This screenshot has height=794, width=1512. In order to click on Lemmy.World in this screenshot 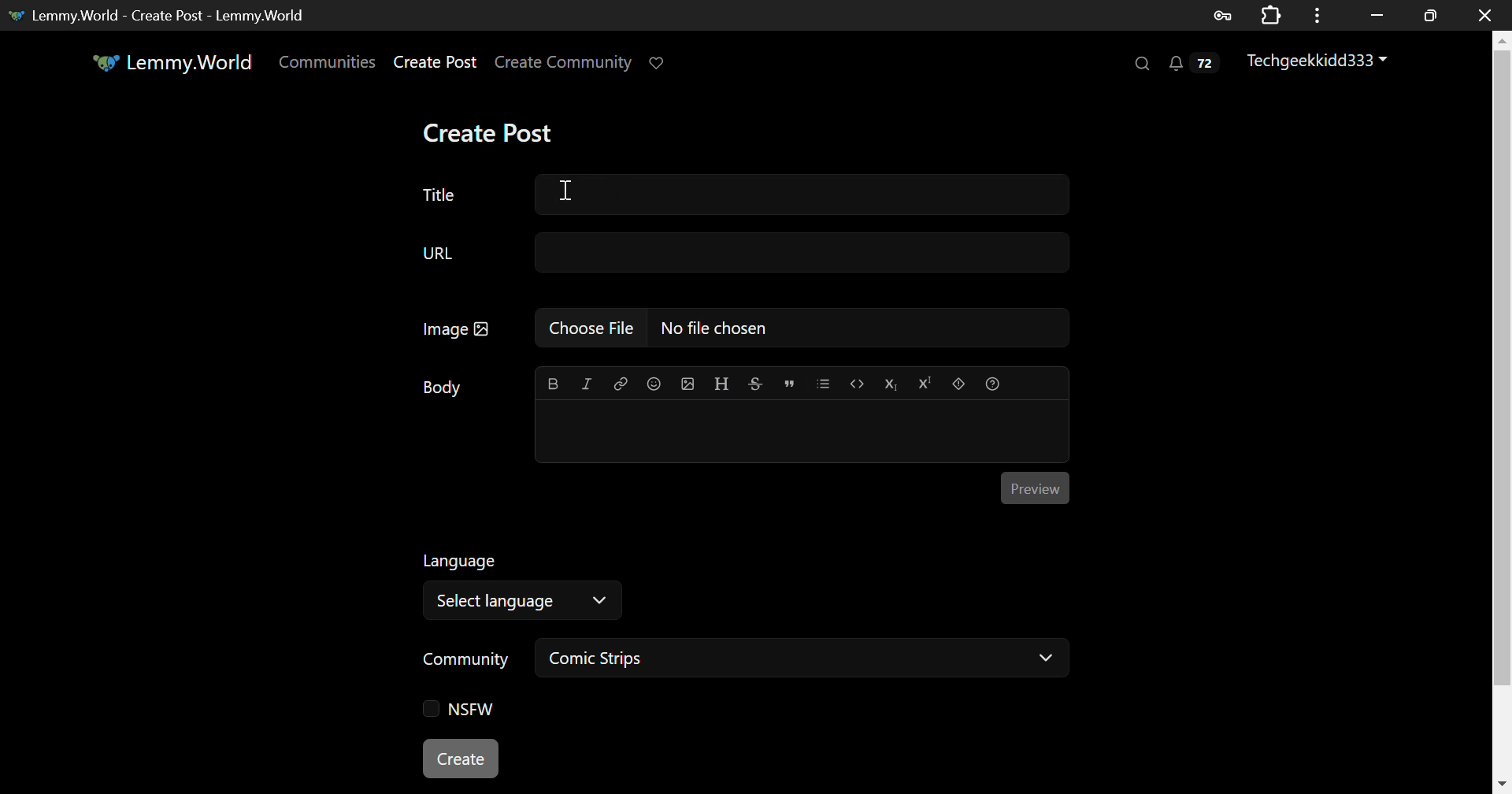, I will do `click(172, 62)`.